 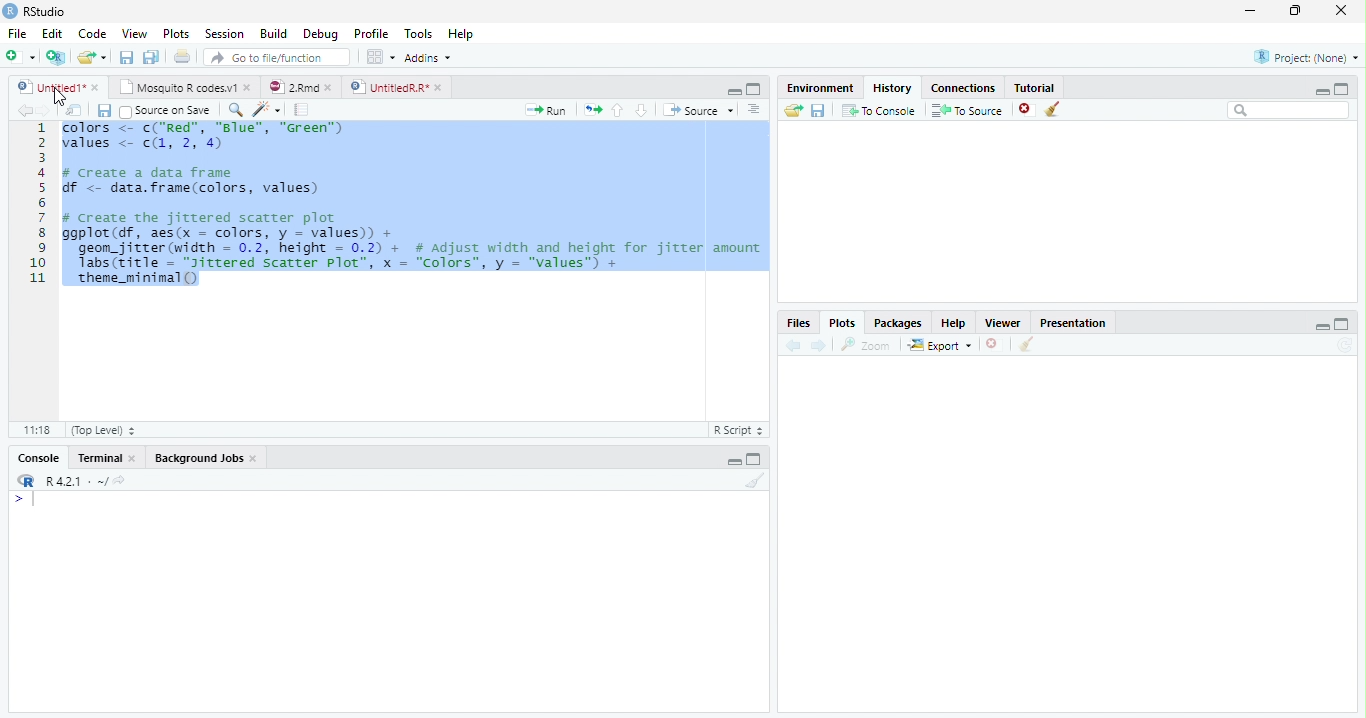 What do you see at coordinates (177, 33) in the screenshot?
I see `Plots` at bounding box center [177, 33].